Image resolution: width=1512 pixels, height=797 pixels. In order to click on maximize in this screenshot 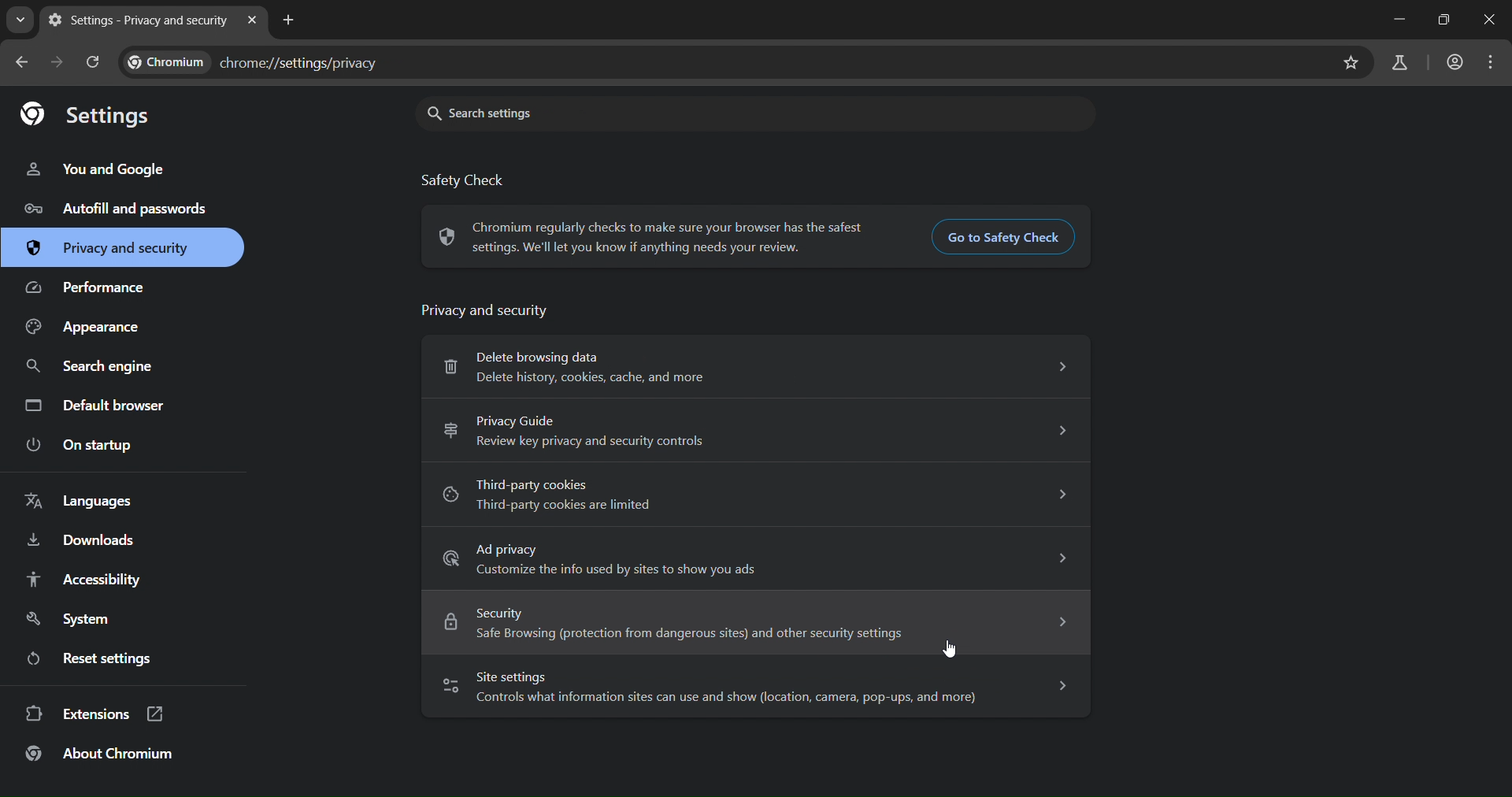, I will do `click(1438, 20)`.